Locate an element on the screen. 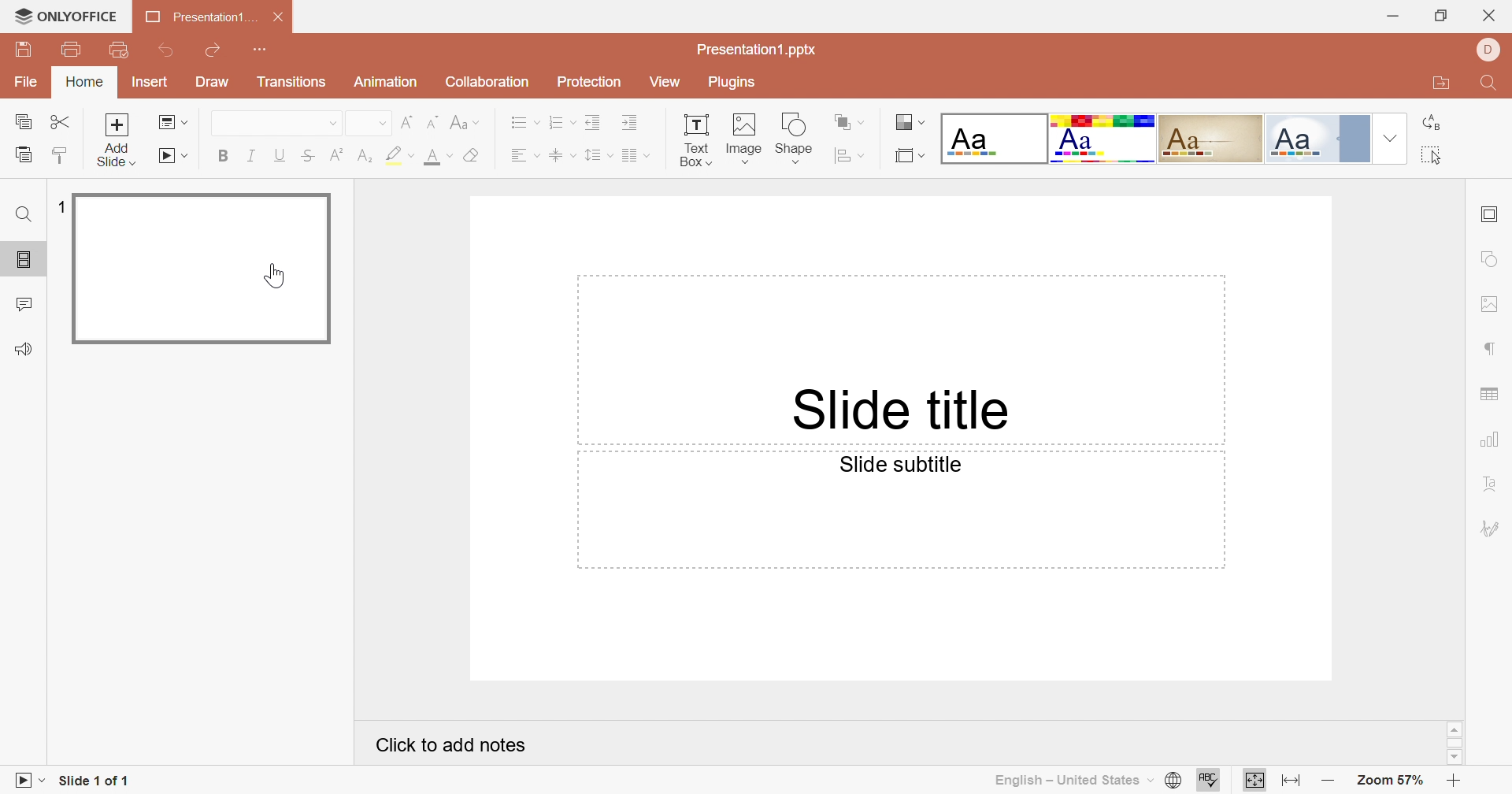  Highlight color is located at coordinates (391, 153).